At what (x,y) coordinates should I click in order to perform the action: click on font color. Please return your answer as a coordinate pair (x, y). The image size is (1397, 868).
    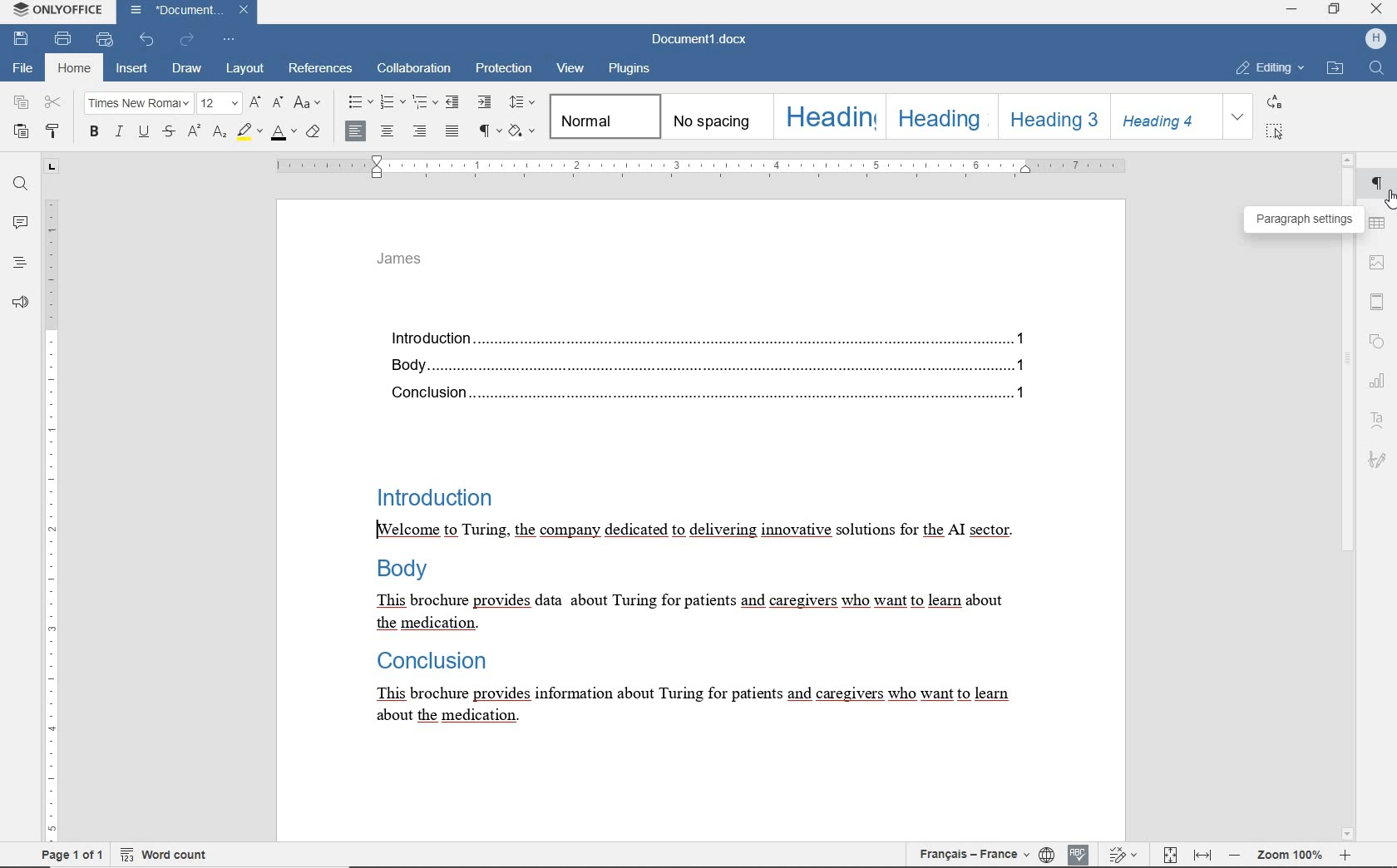
    Looking at the image, I should click on (284, 133).